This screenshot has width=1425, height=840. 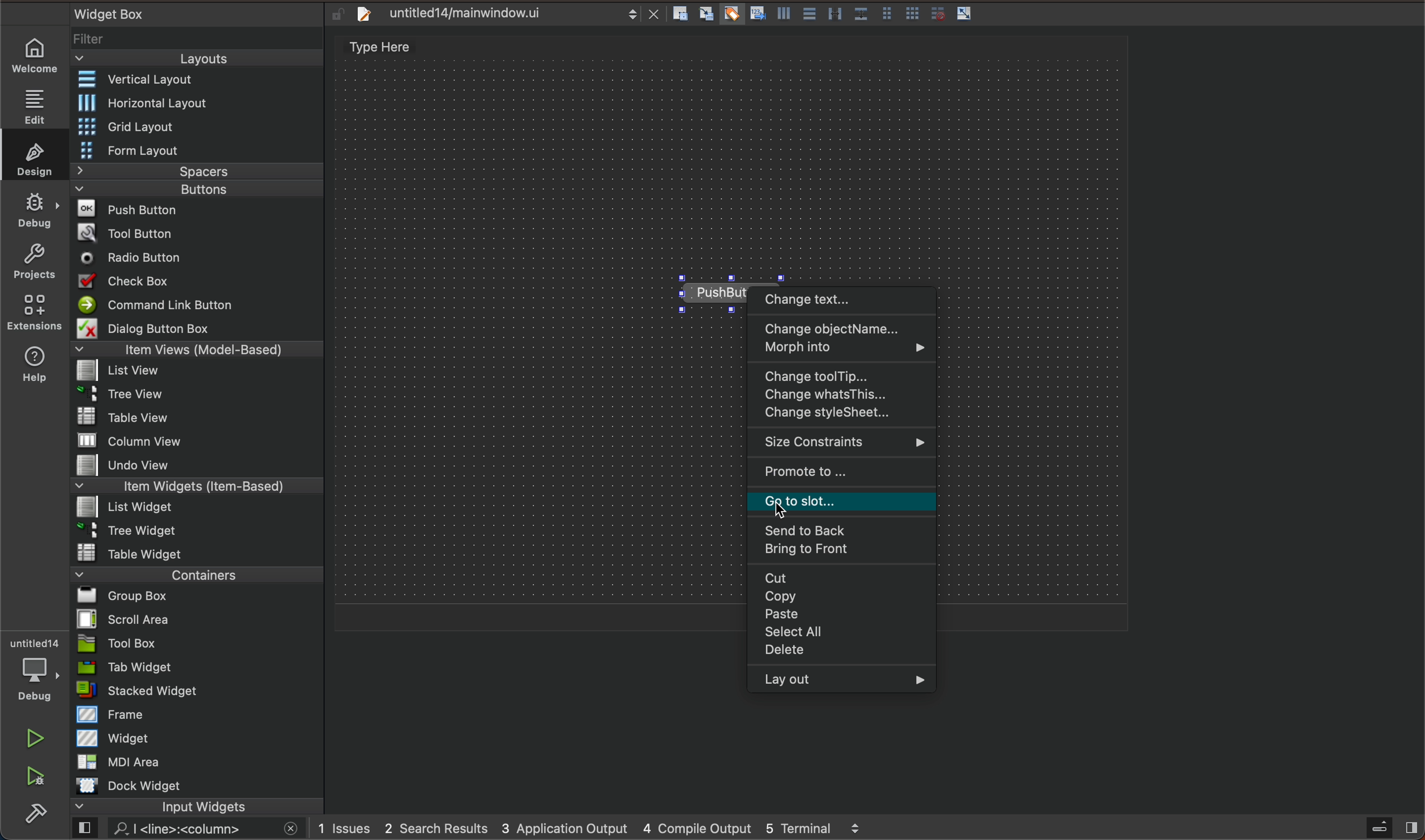 What do you see at coordinates (862, 12) in the screenshot?
I see `` at bounding box center [862, 12].